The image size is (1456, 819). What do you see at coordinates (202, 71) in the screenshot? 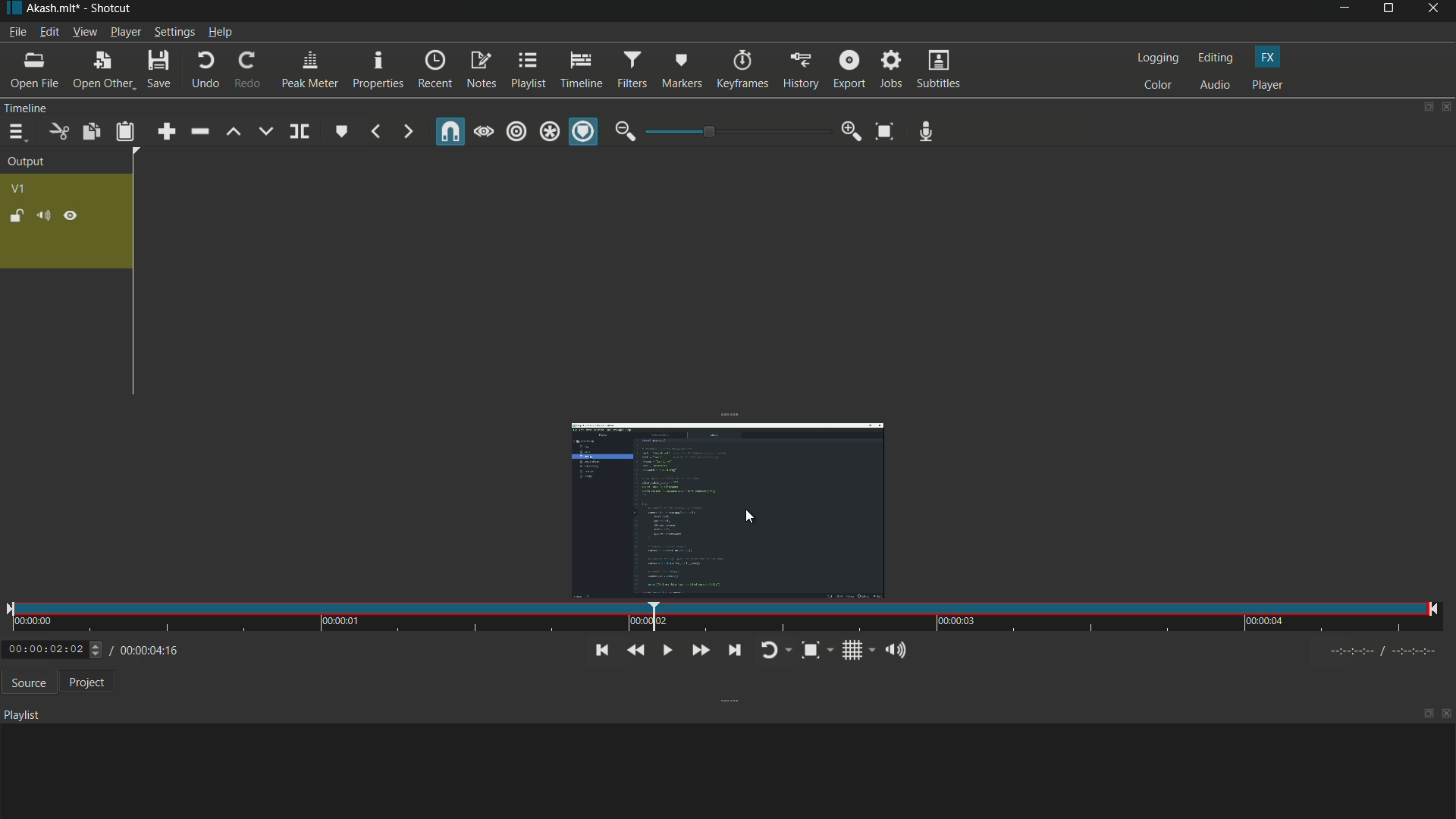
I see `undo` at bounding box center [202, 71].